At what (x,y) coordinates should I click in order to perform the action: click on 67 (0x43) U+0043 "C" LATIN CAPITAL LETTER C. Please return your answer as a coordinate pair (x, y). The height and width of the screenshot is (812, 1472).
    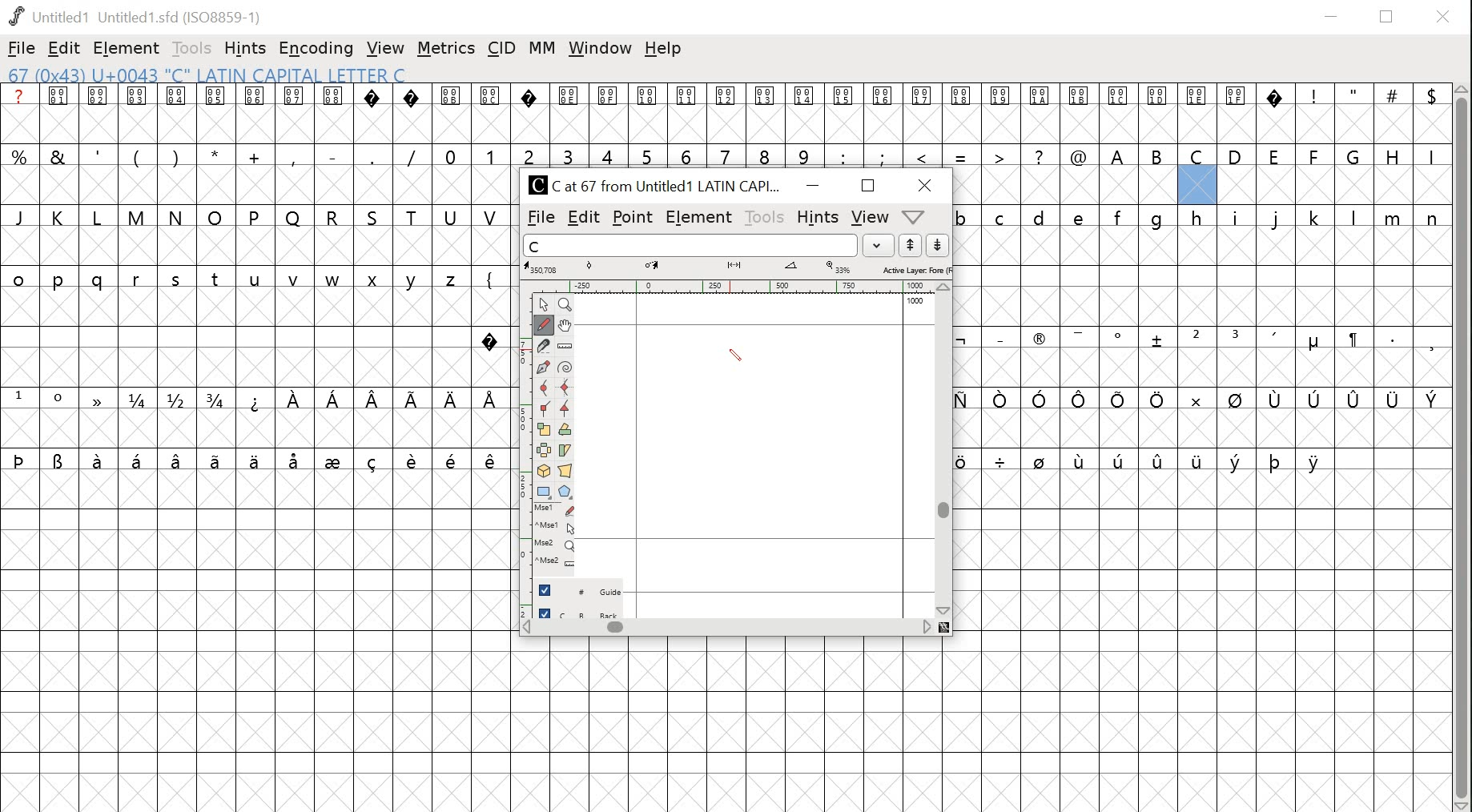
    Looking at the image, I should click on (225, 74).